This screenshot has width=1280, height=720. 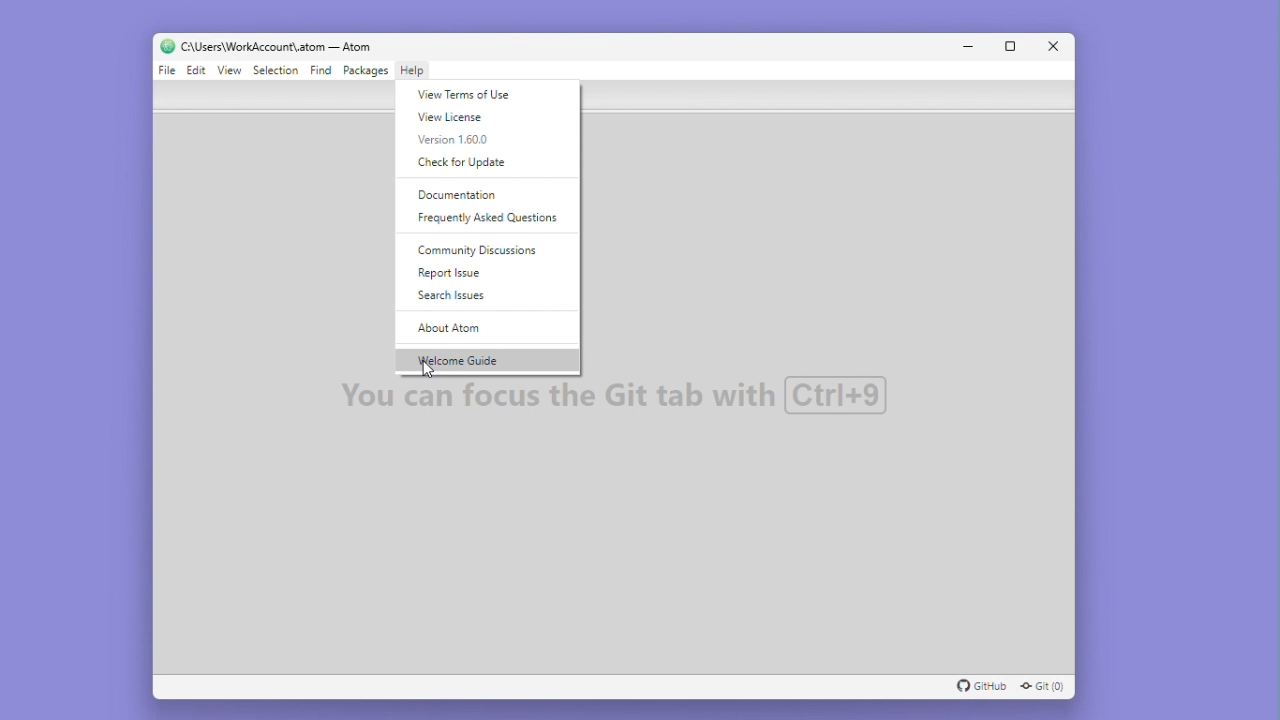 What do you see at coordinates (970, 46) in the screenshot?
I see `Minimise` at bounding box center [970, 46].